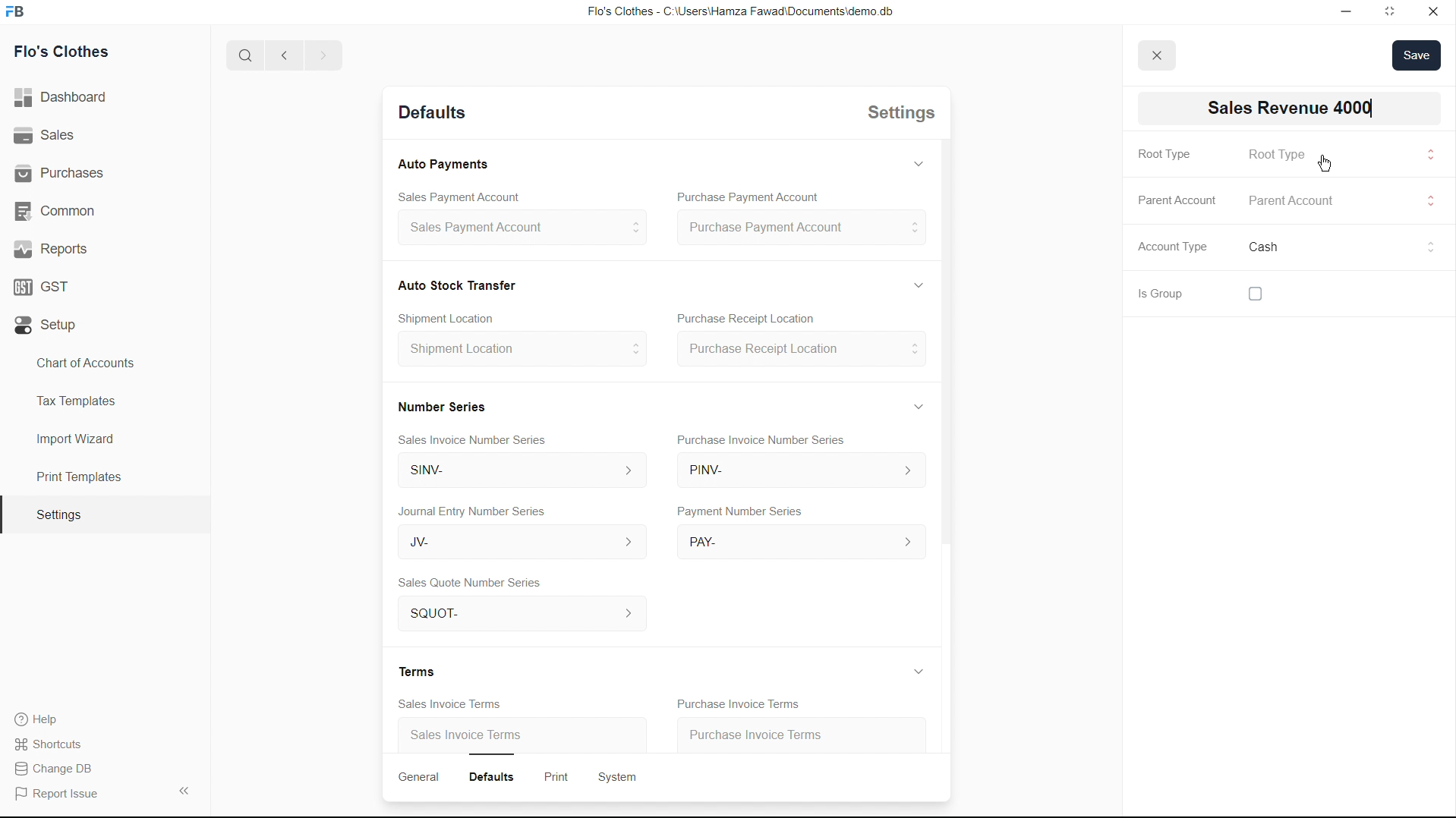 This screenshot has height=818, width=1456. What do you see at coordinates (799, 351) in the screenshot?
I see `Purchase Receipt Location` at bounding box center [799, 351].